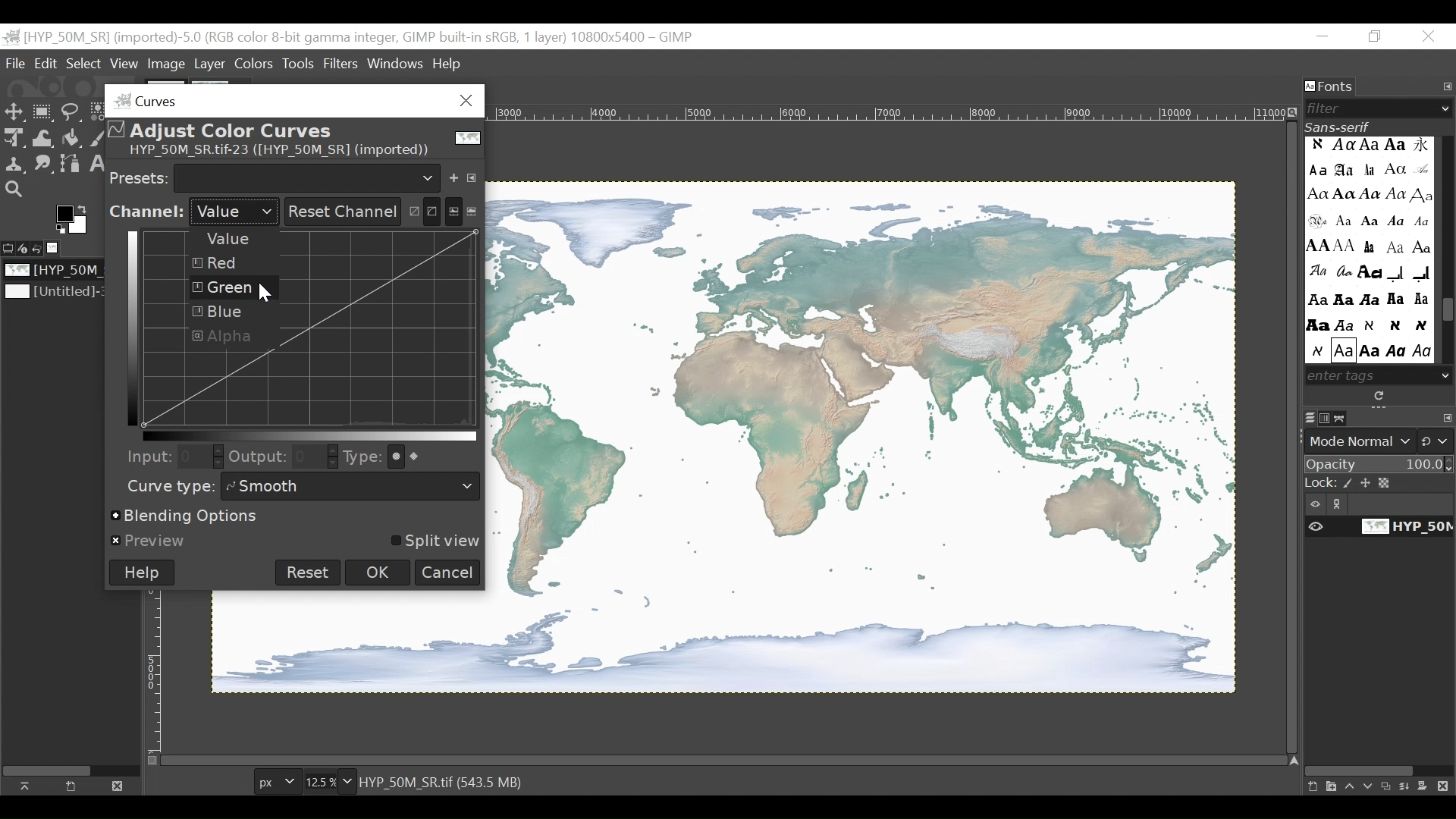 Image resolution: width=1456 pixels, height=819 pixels. Describe the element at coordinates (340, 212) in the screenshot. I see `Reset Channel` at that location.